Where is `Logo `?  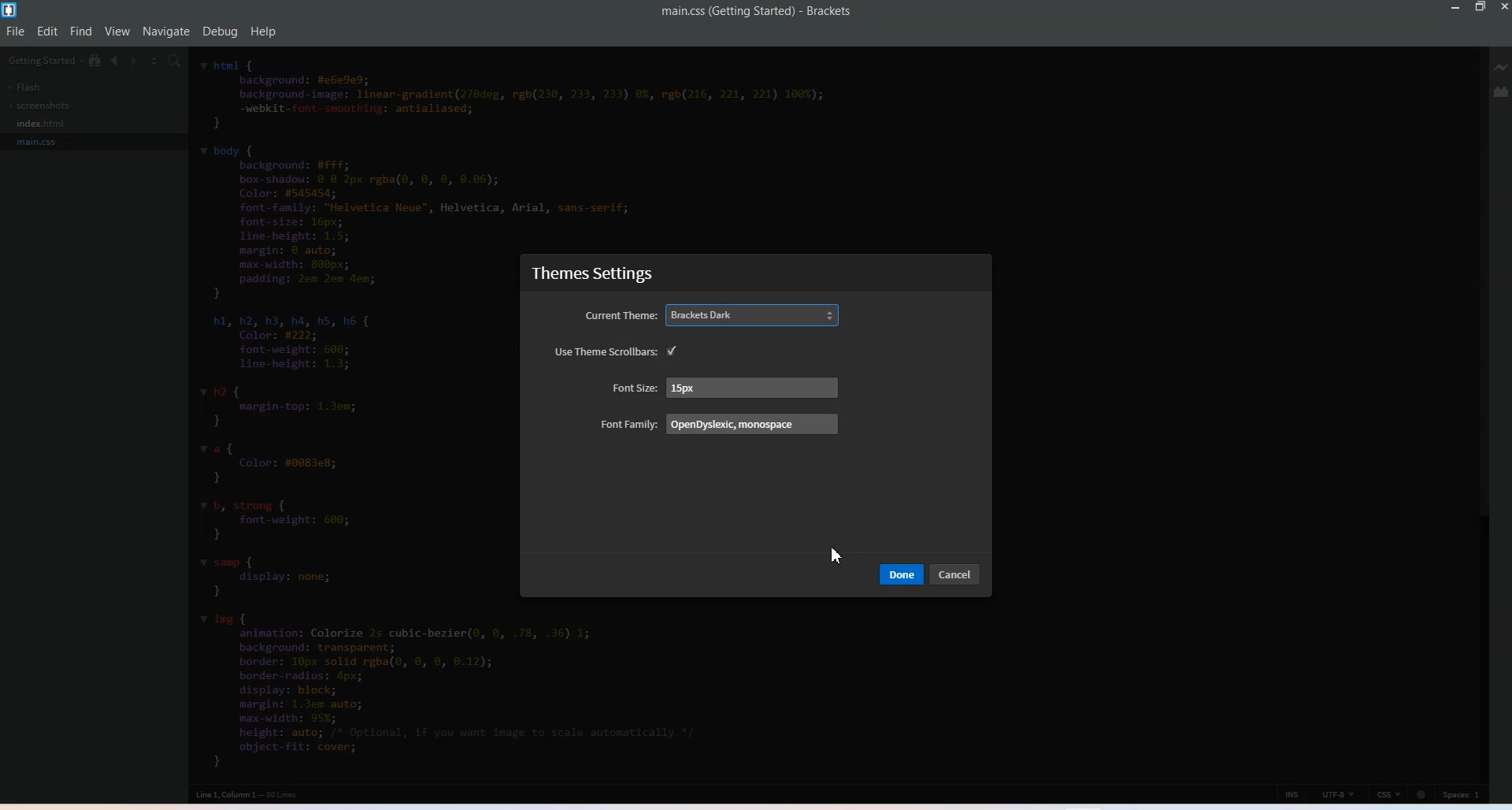 Logo  is located at coordinates (10, 9).